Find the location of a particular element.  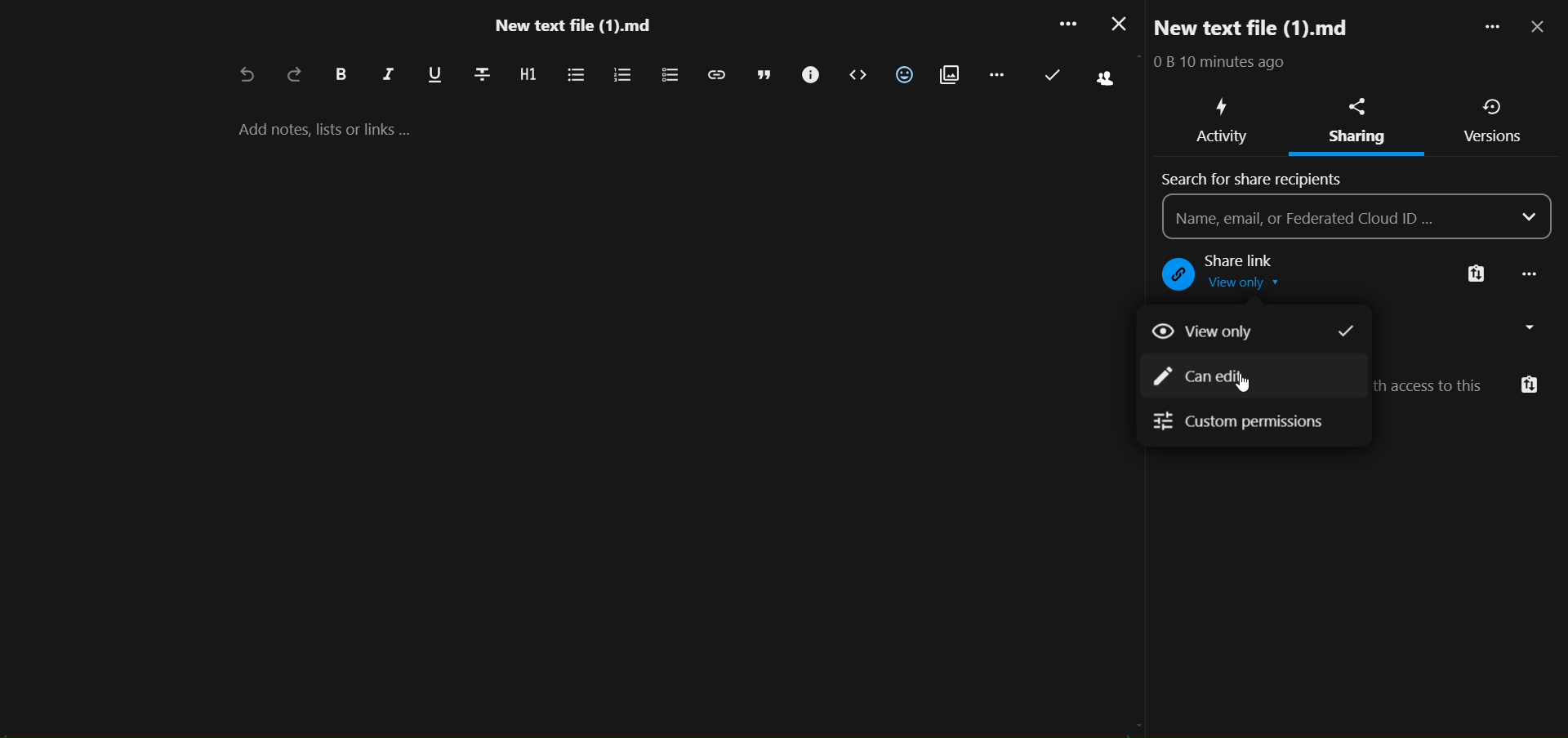

call out  is located at coordinates (808, 75).